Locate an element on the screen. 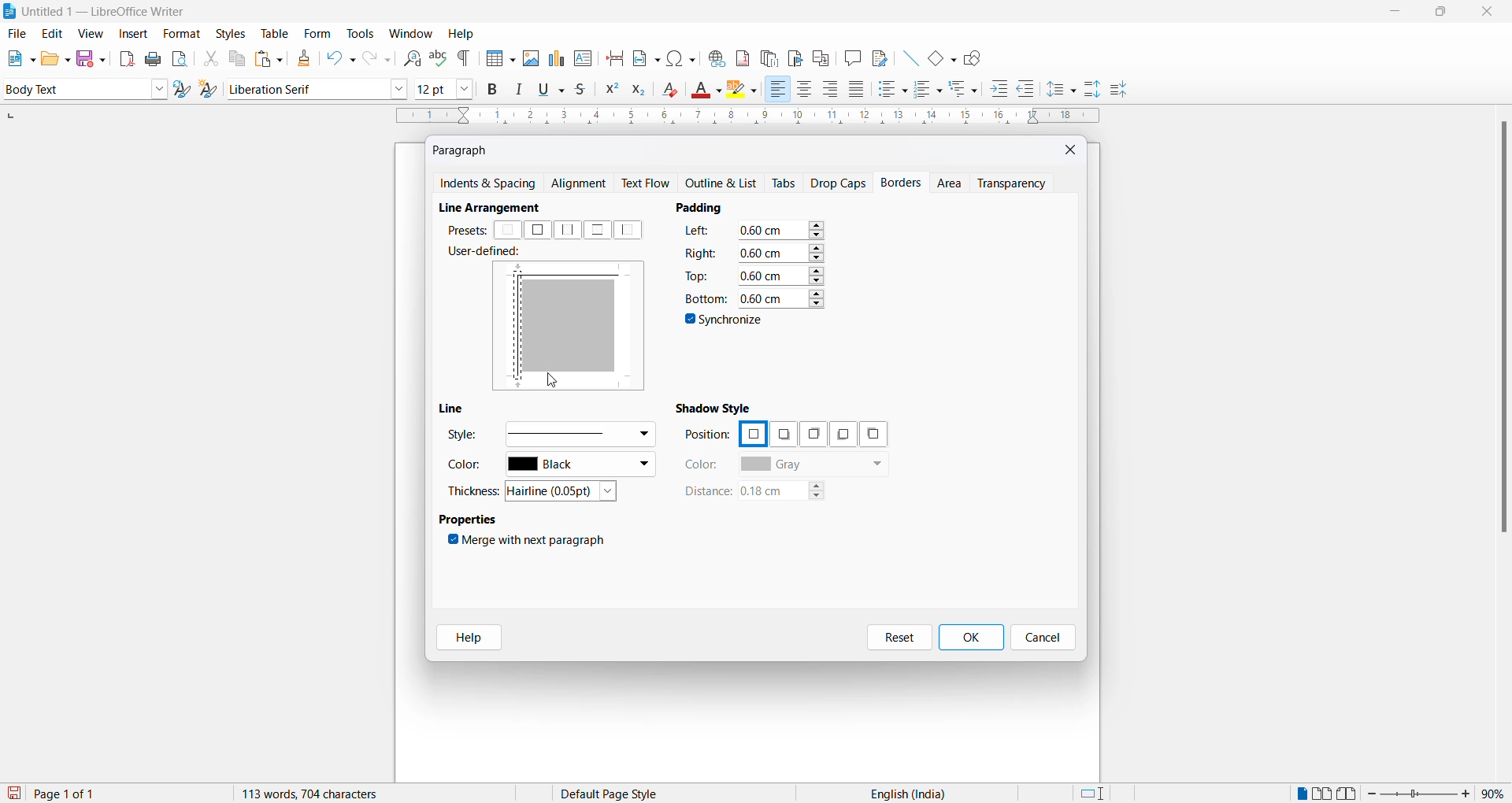  undo is located at coordinates (338, 58).